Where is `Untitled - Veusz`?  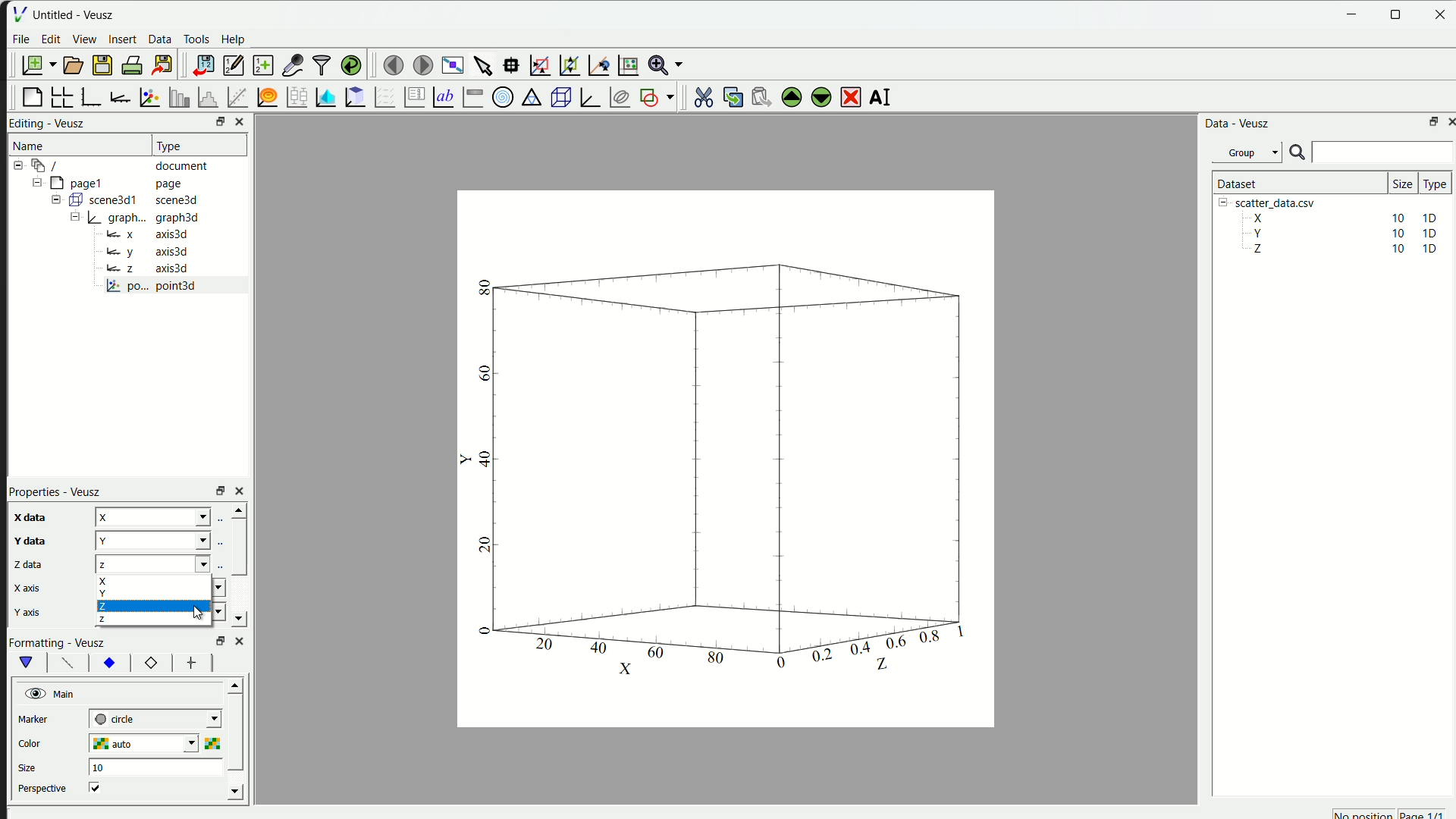 Untitled - Veusz is located at coordinates (77, 14).